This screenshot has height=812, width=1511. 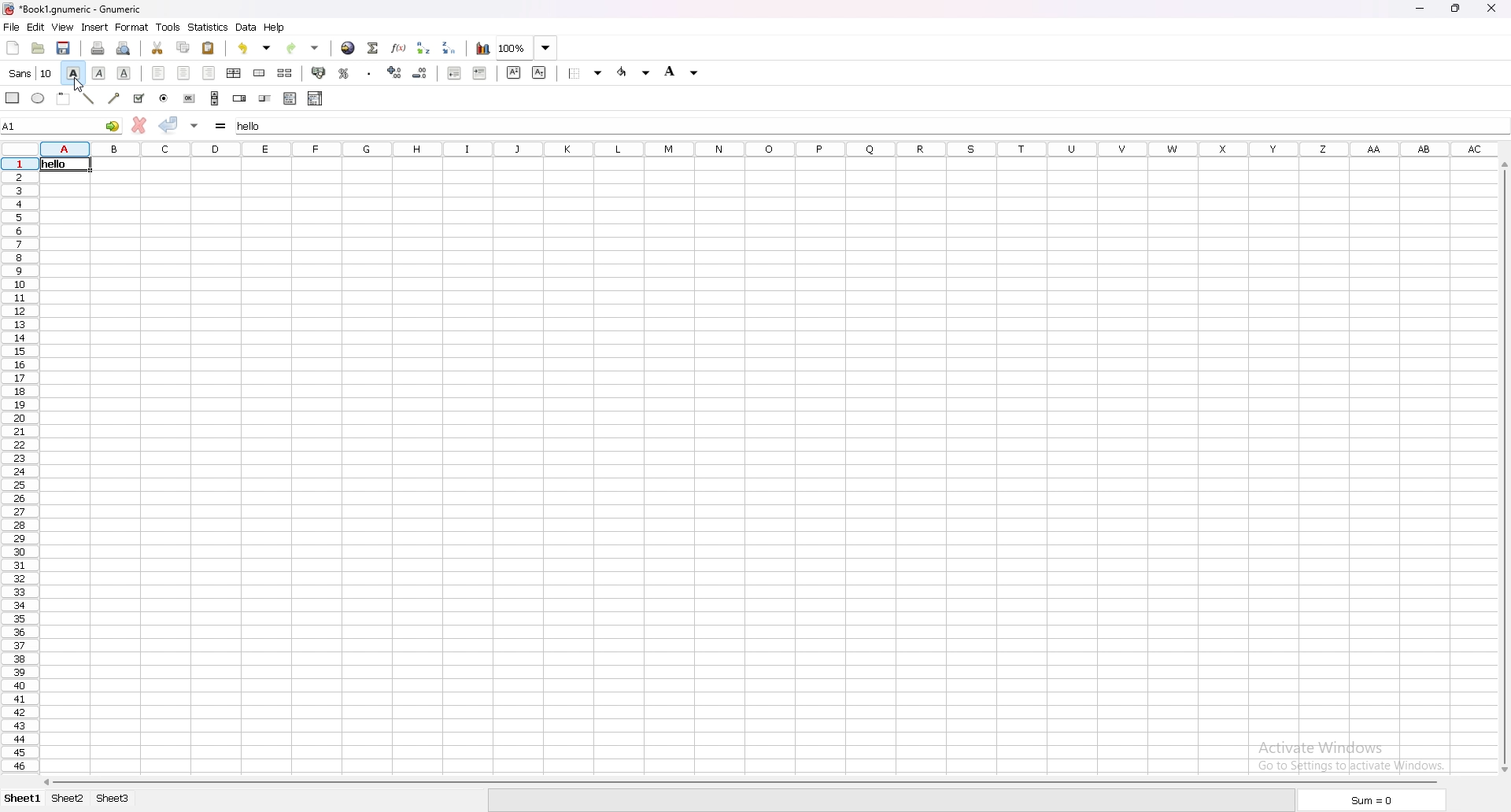 What do you see at coordinates (303, 48) in the screenshot?
I see `redo` at bounding box center [303, 48].